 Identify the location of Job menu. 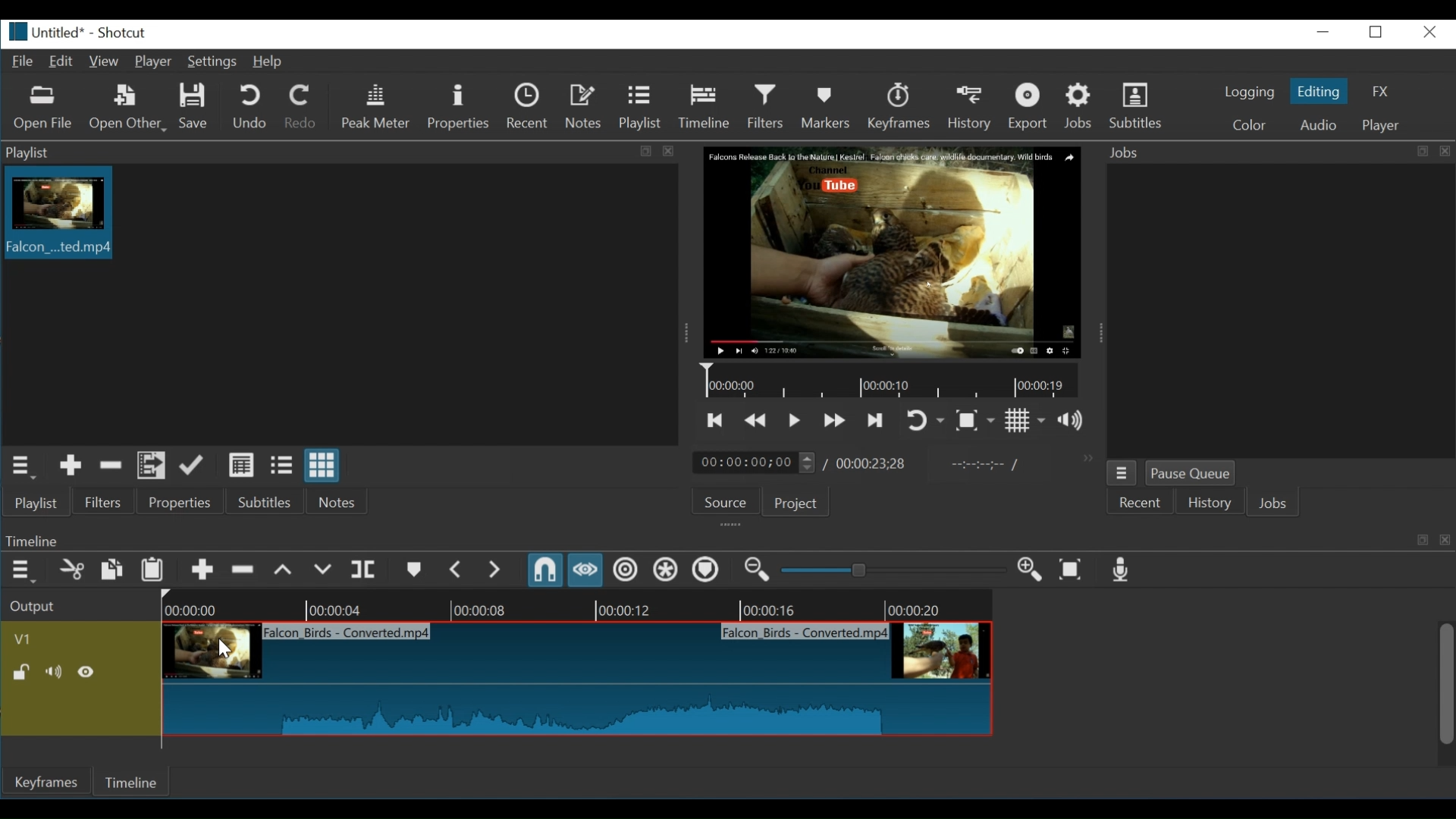
(1122, 474).